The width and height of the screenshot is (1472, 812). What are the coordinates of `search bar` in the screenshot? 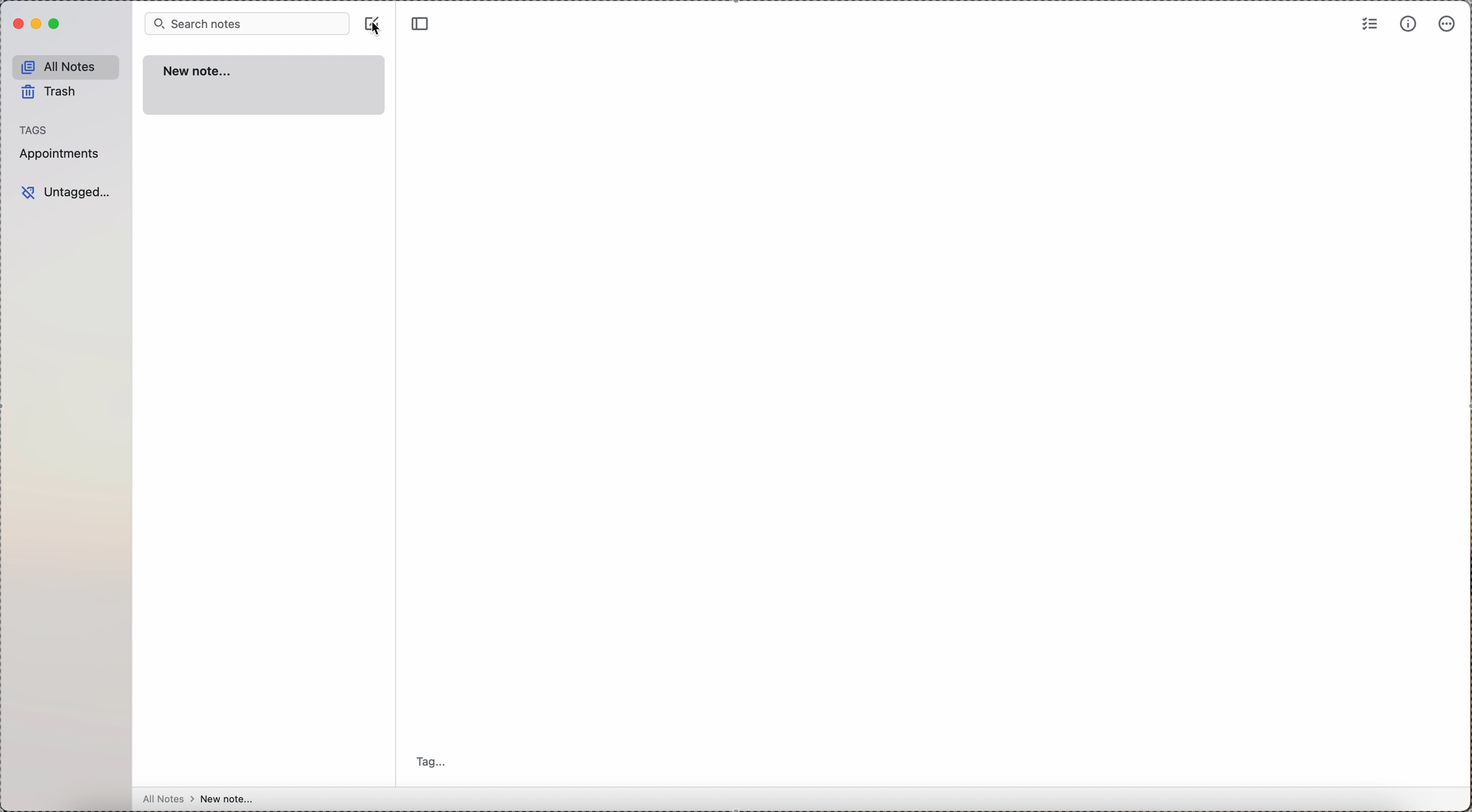 It's located at (247, 25).